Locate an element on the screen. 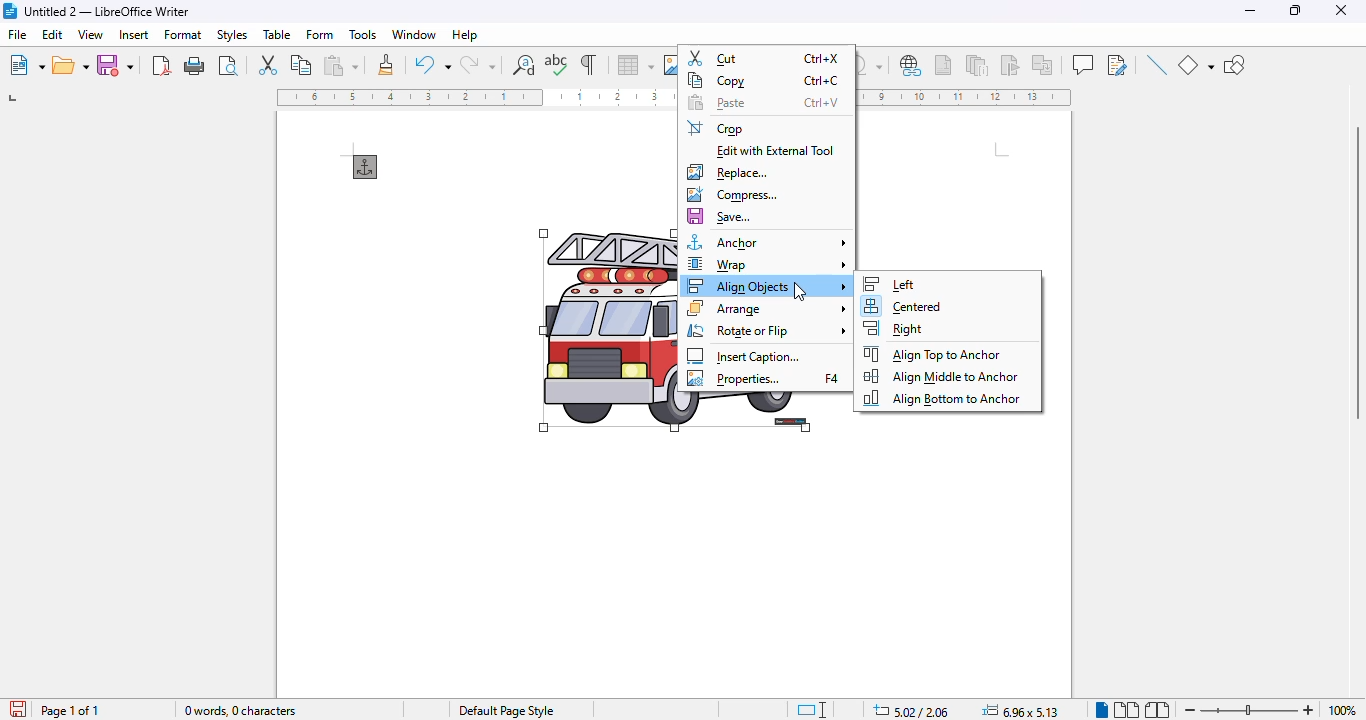 This screenshot has height=720, width=1366. insert line is located at coordinates (1156, 64).